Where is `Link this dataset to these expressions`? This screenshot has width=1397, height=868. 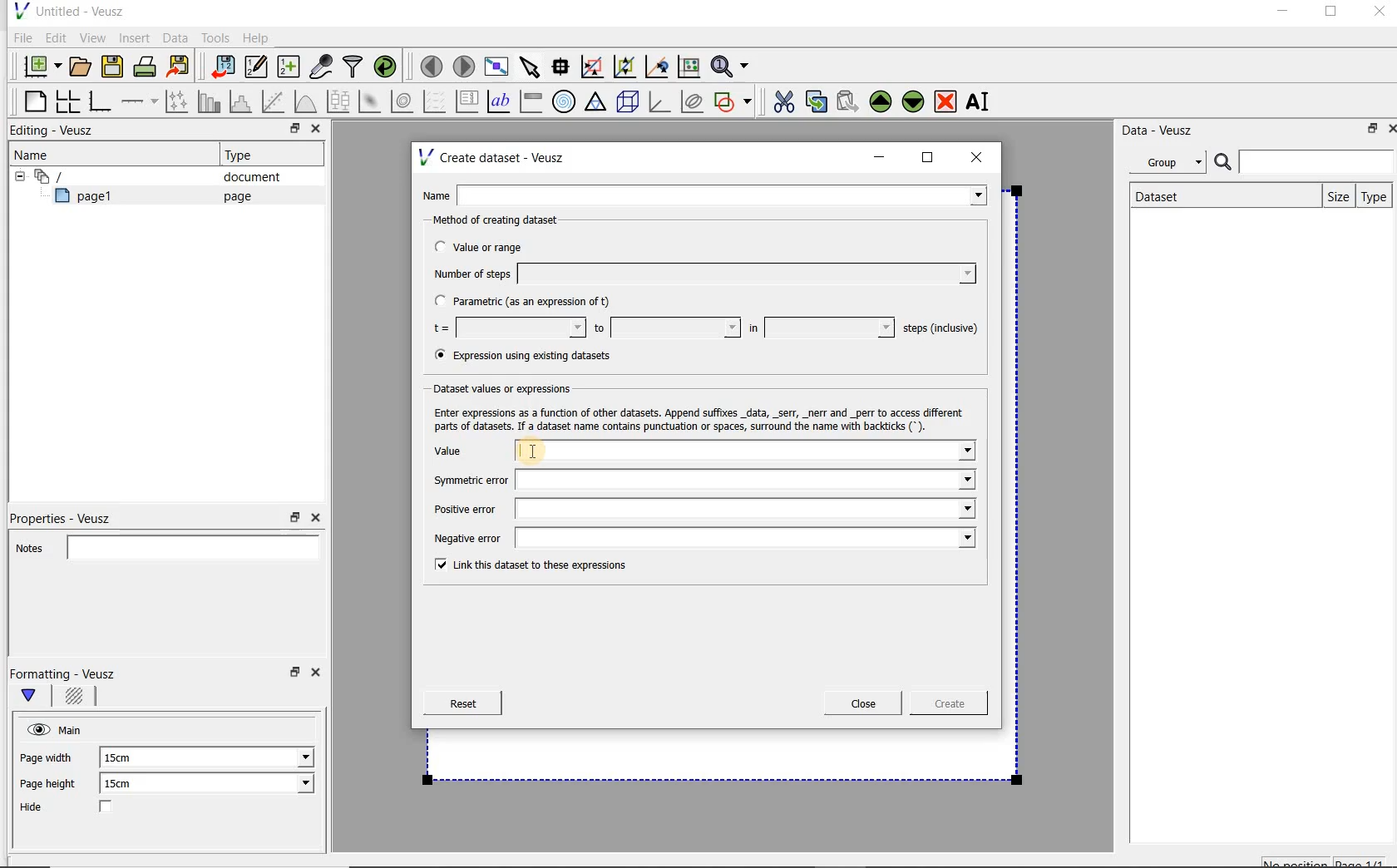
Link this dataset to these expressions is located at coordinates (526, 566).